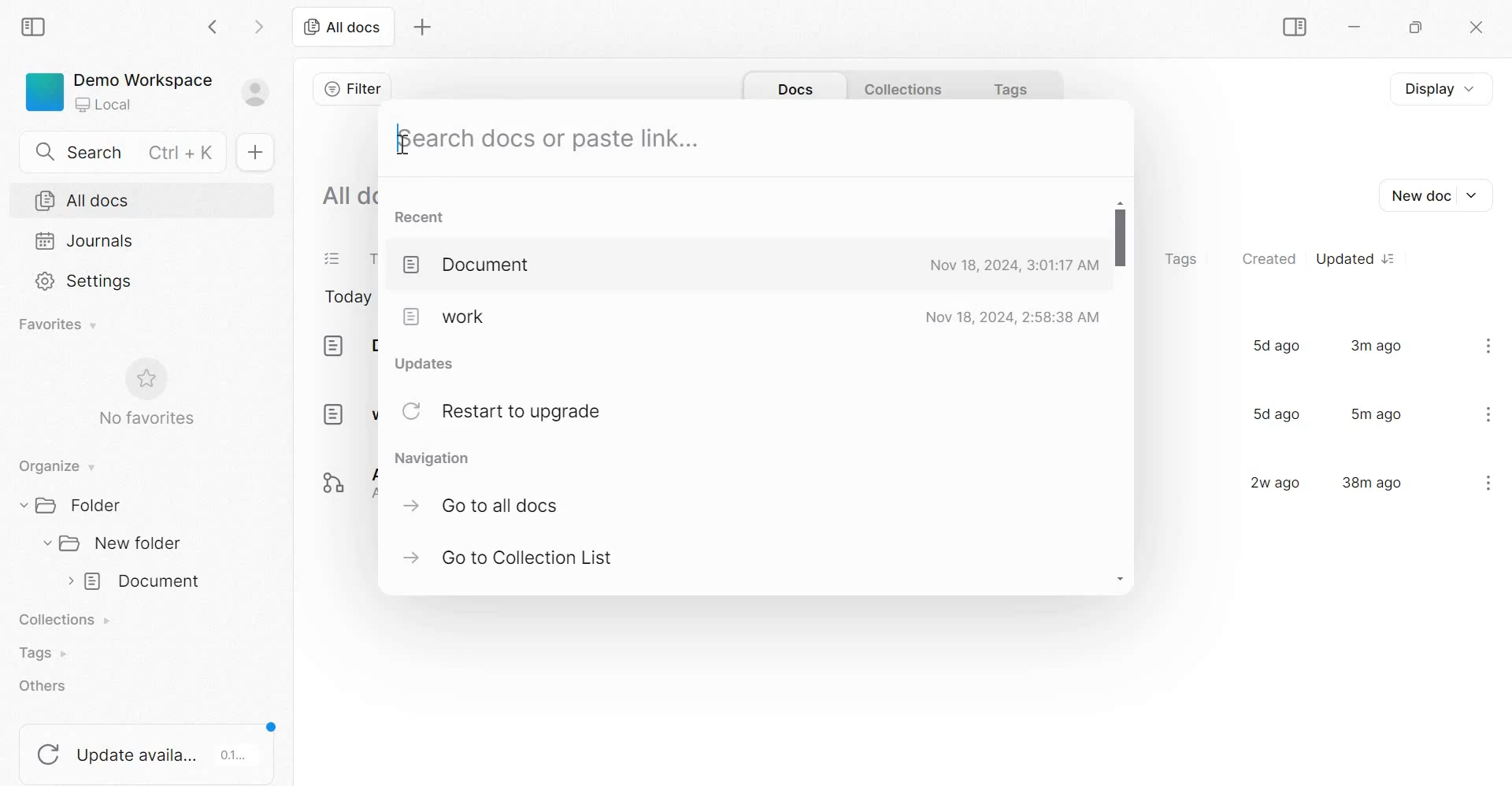 Image resolution: width=1512 pixels, height=786 pixels. What do you see at coordinates (1488, 345) in the screenshot?
I see `kebab menu` at bounding box center [1488, 345].